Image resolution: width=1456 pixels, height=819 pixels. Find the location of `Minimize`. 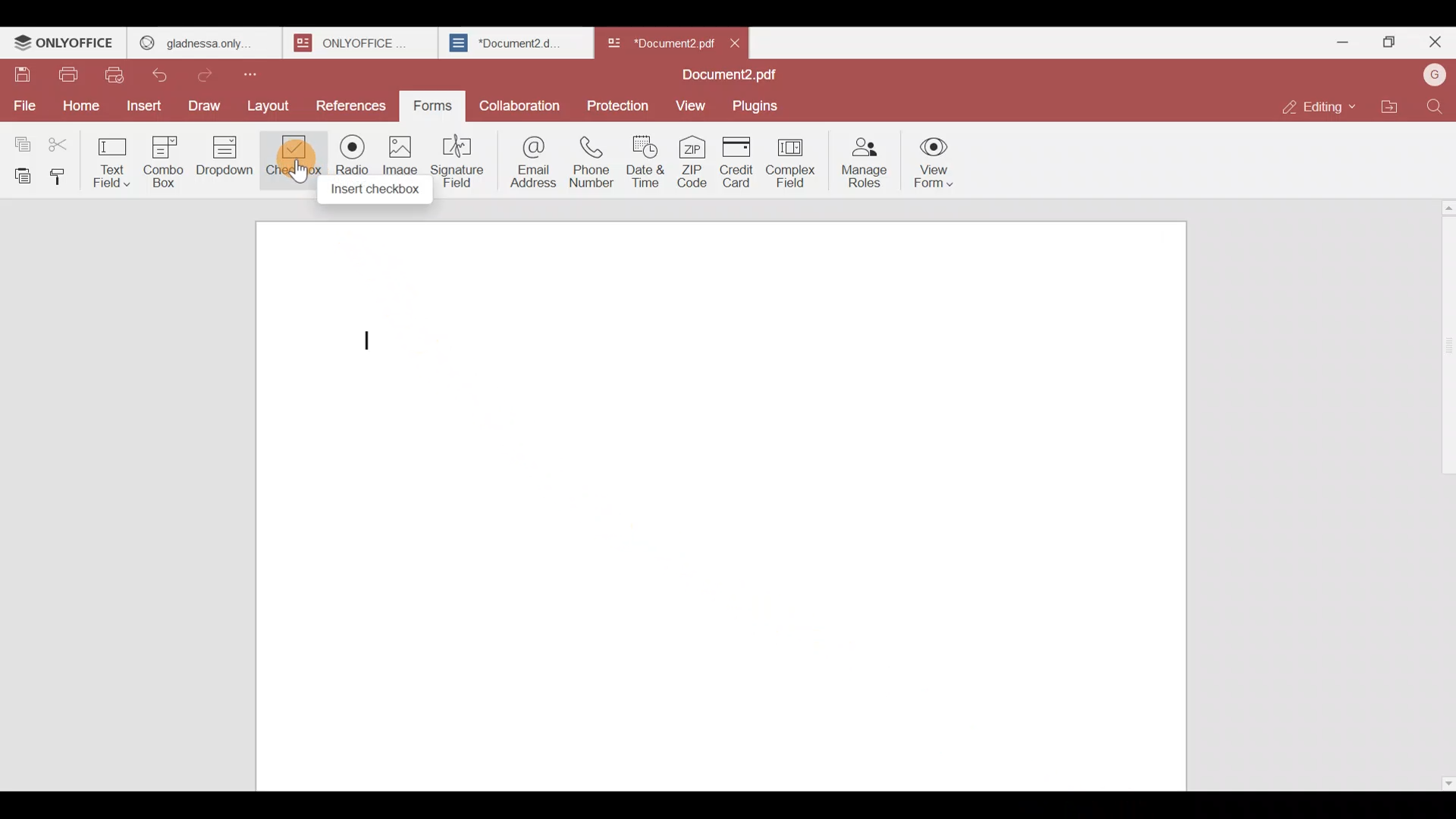

Minimize is located at coordinates (1336, 39).